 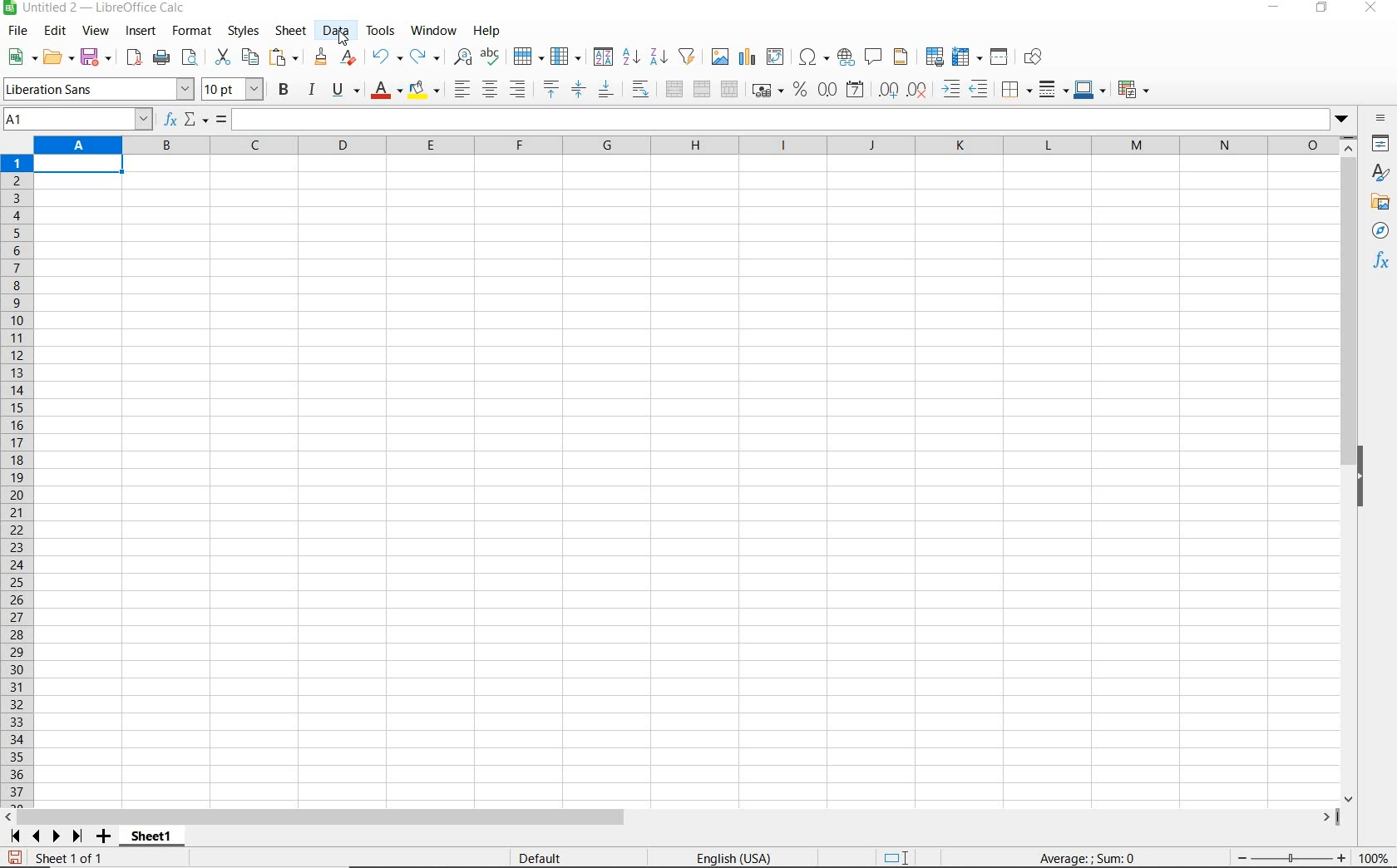 What do you see at coordinates (161, 57) in the screenshot?
I see `print` at bounding box center [161, 57].